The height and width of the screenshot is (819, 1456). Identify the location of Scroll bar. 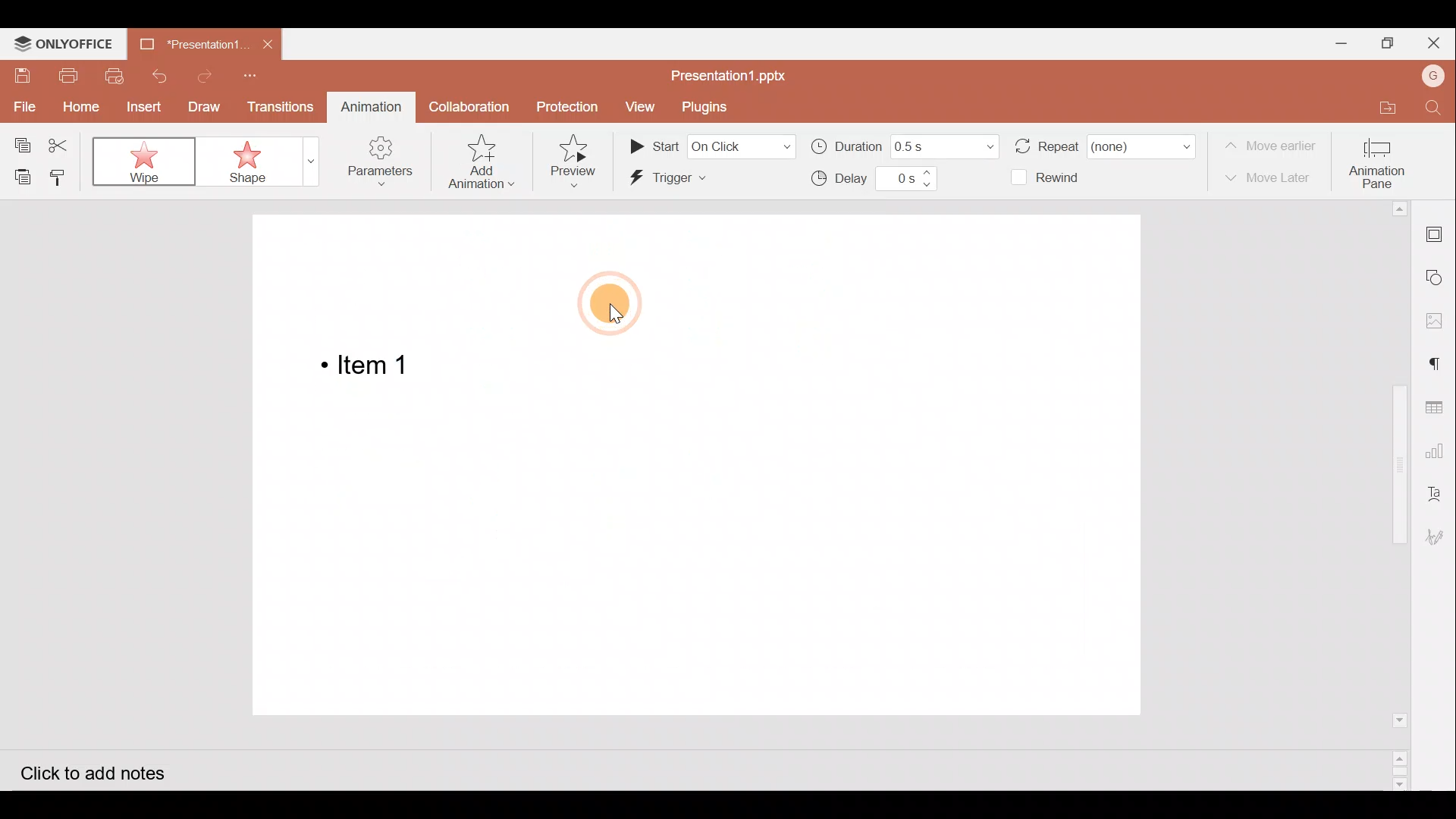
(1402, 496).